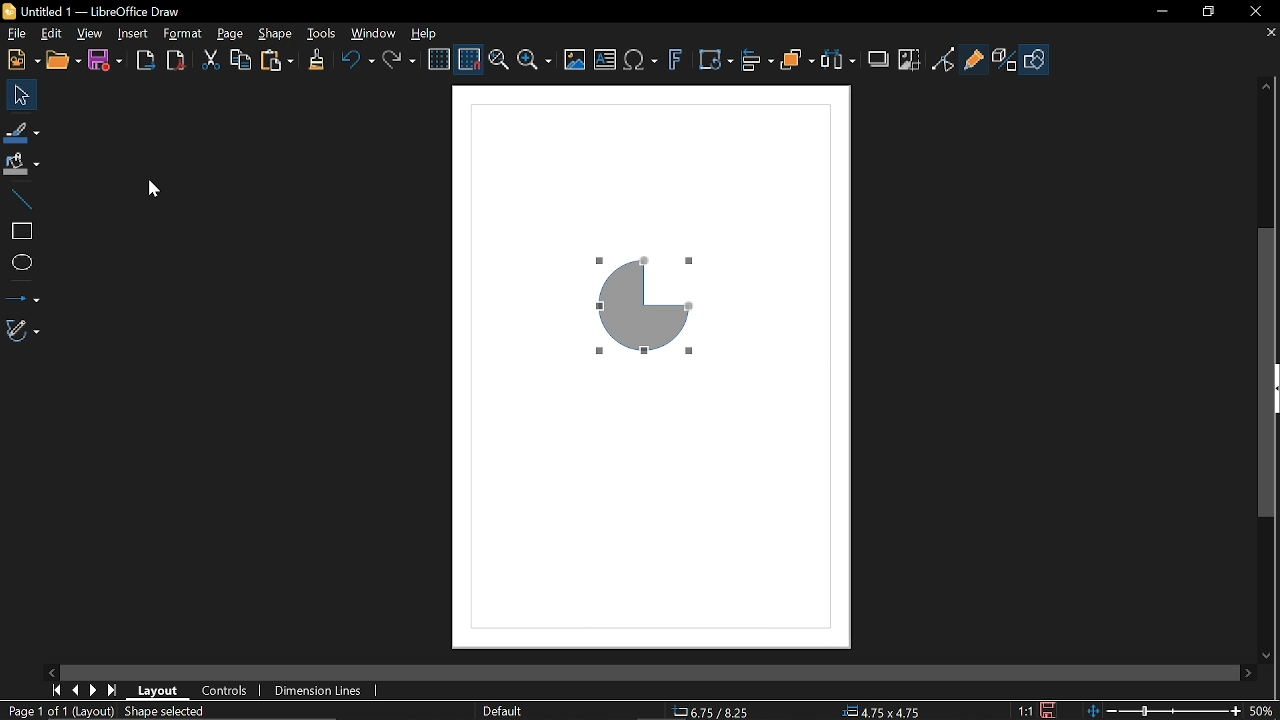  What do you see at coordinates (133, 33) in the screenshot?
I see `Insert` at bounding box center [133, 33].